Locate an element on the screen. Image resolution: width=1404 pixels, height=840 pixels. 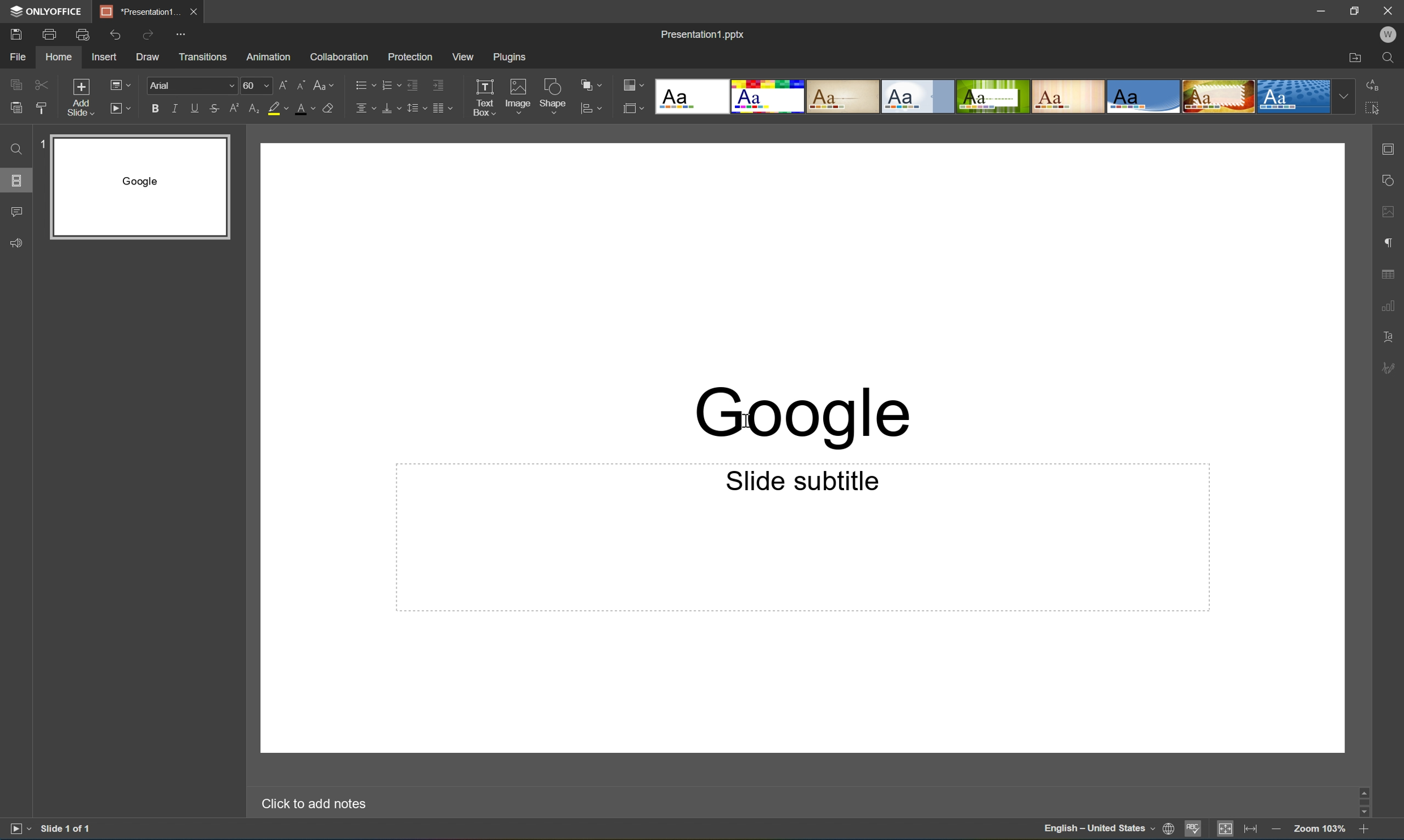
Slide 1 of 1 is located at coordinates (69, 829).